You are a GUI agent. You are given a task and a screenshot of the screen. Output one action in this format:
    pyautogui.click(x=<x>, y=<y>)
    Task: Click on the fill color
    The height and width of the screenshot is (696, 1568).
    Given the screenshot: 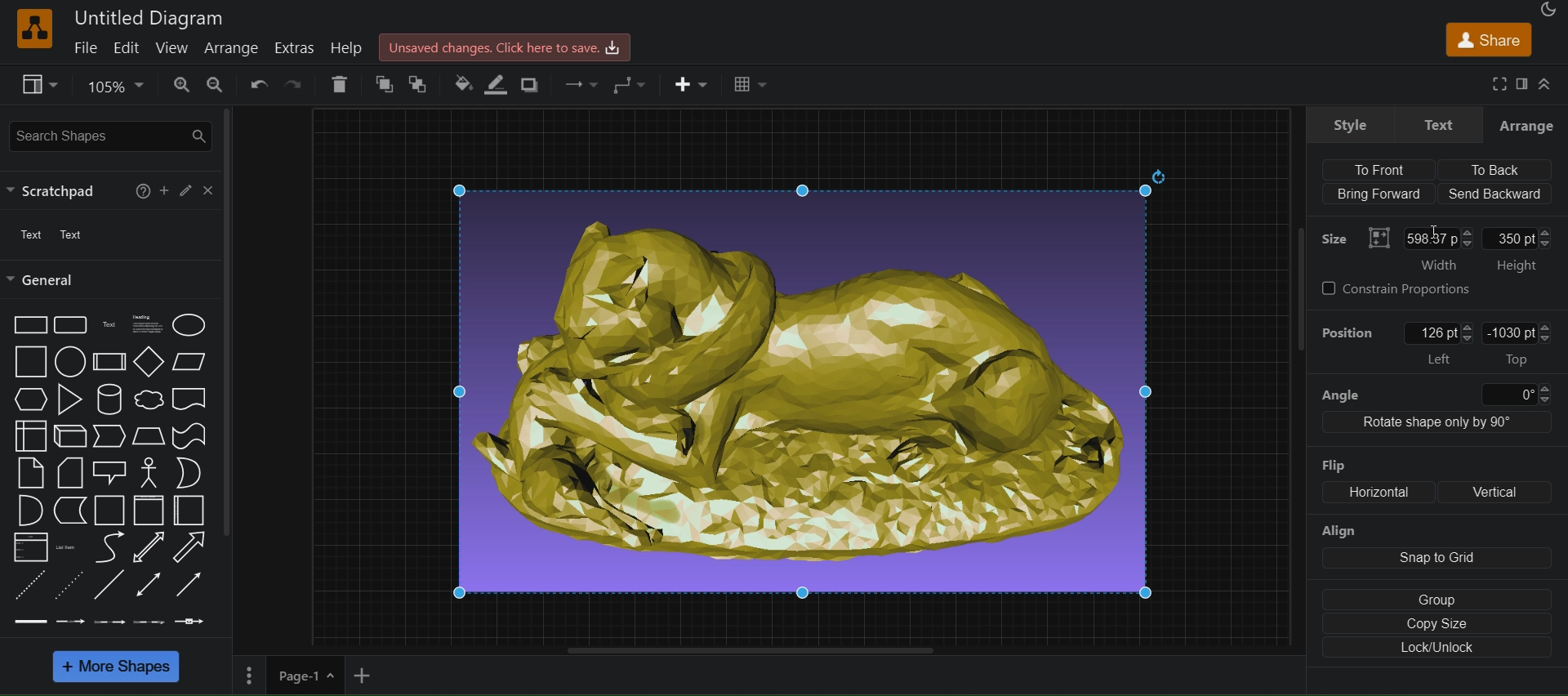 What is the action you would take?
    pyautogui.click(x=462, y=85)
    